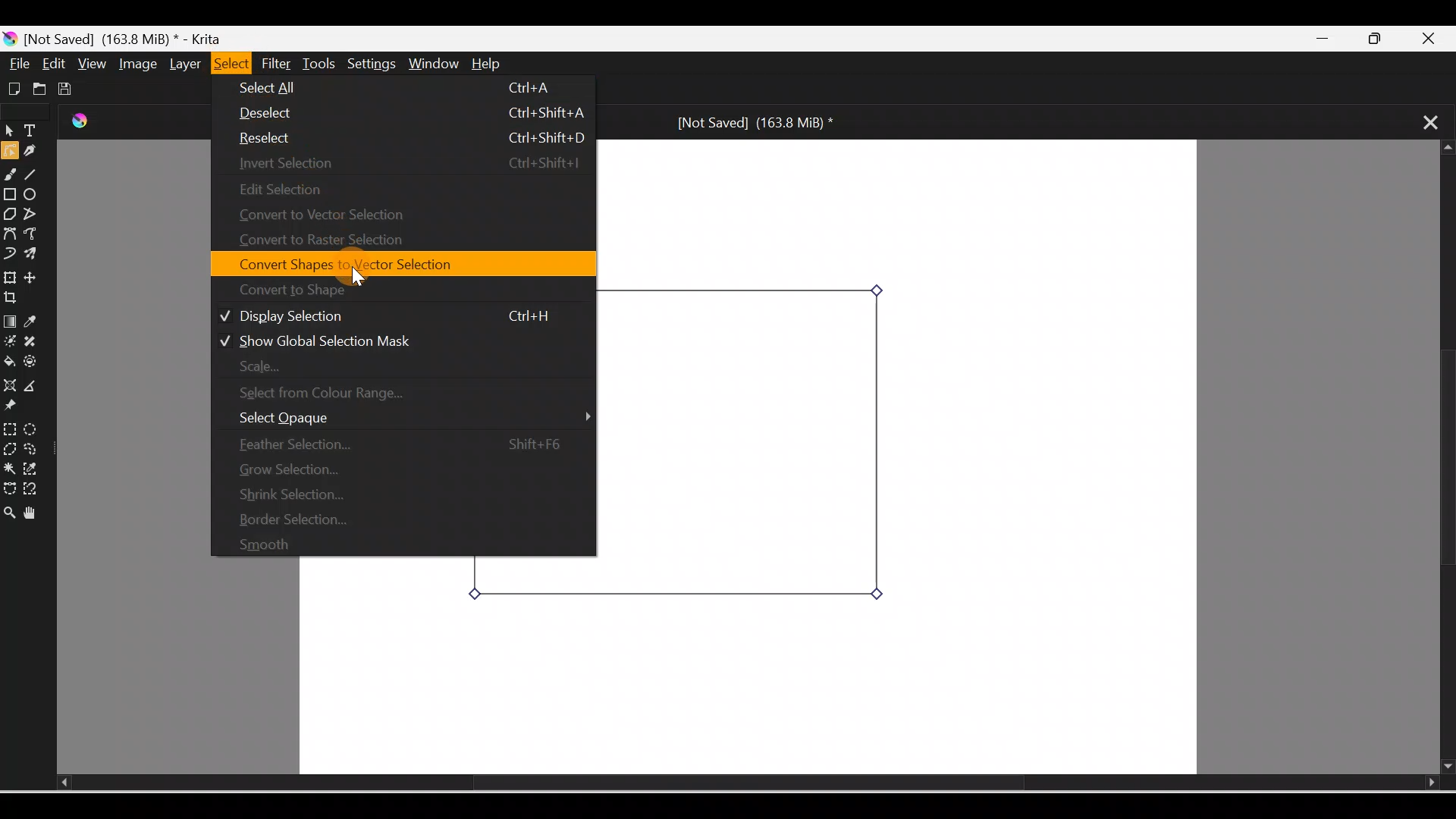  I want to click on Convert to shape, so click(382, 288).